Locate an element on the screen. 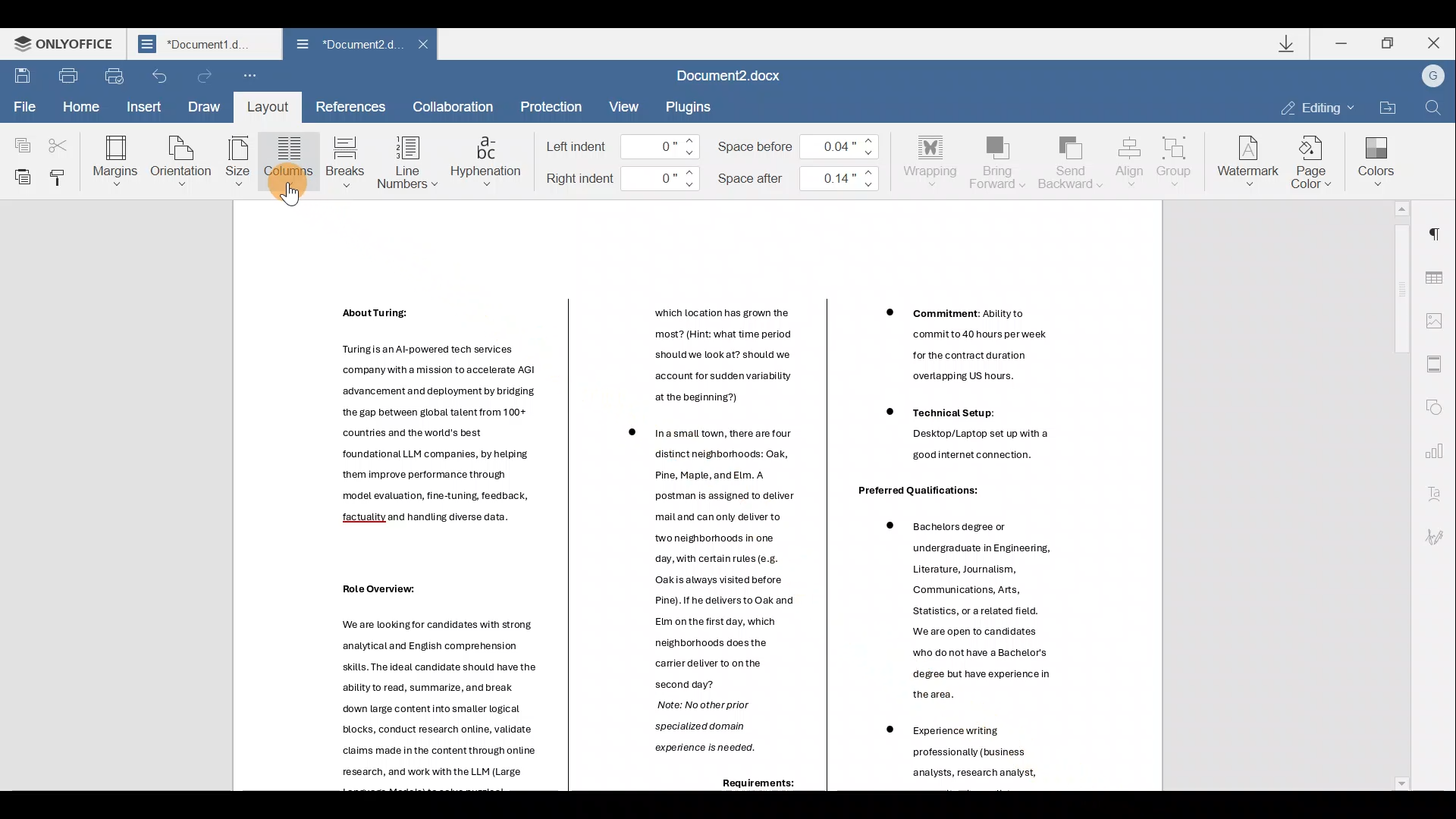 Image resolution: width=1456 pixels, height=819 pixels. Chart settings is located at coordinates (1441, 452).